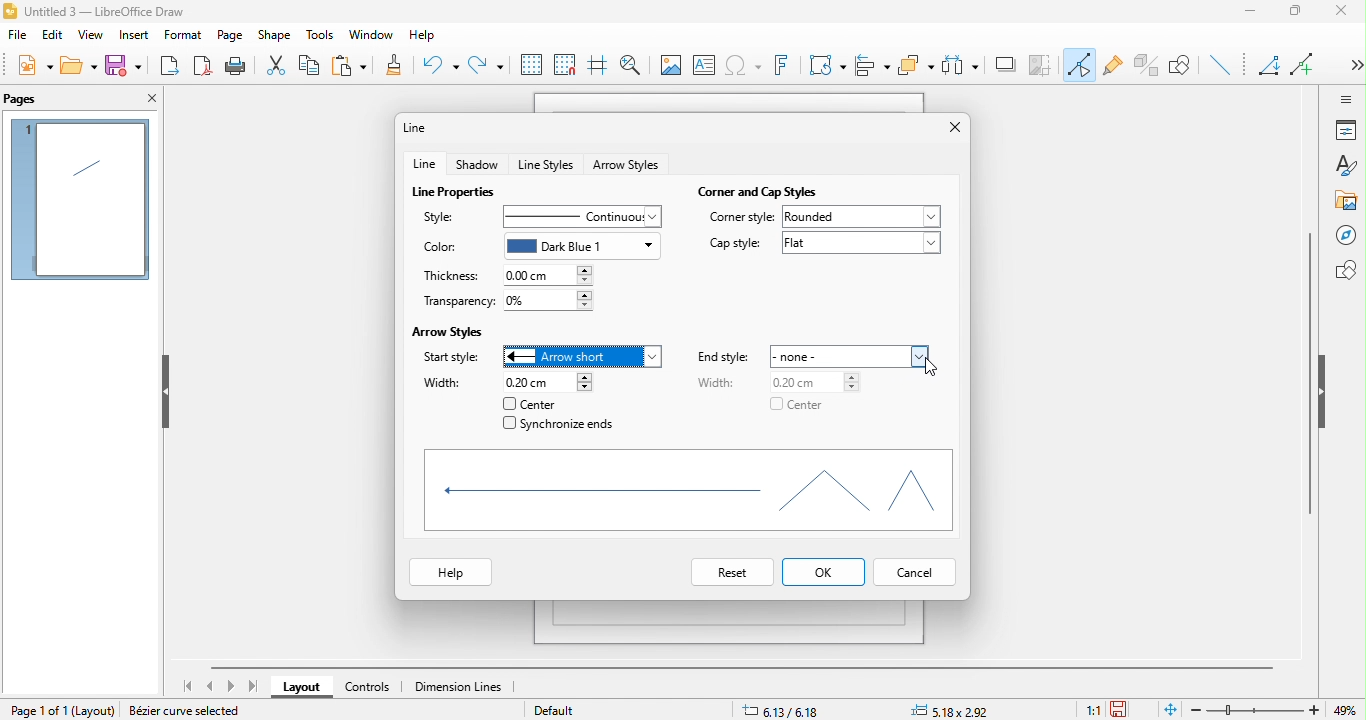 The width and height of the screenshot is (1366, 720). Describe the element at coordinates (545, 383) in the screenshot. I see `0.20 cm` at that location.